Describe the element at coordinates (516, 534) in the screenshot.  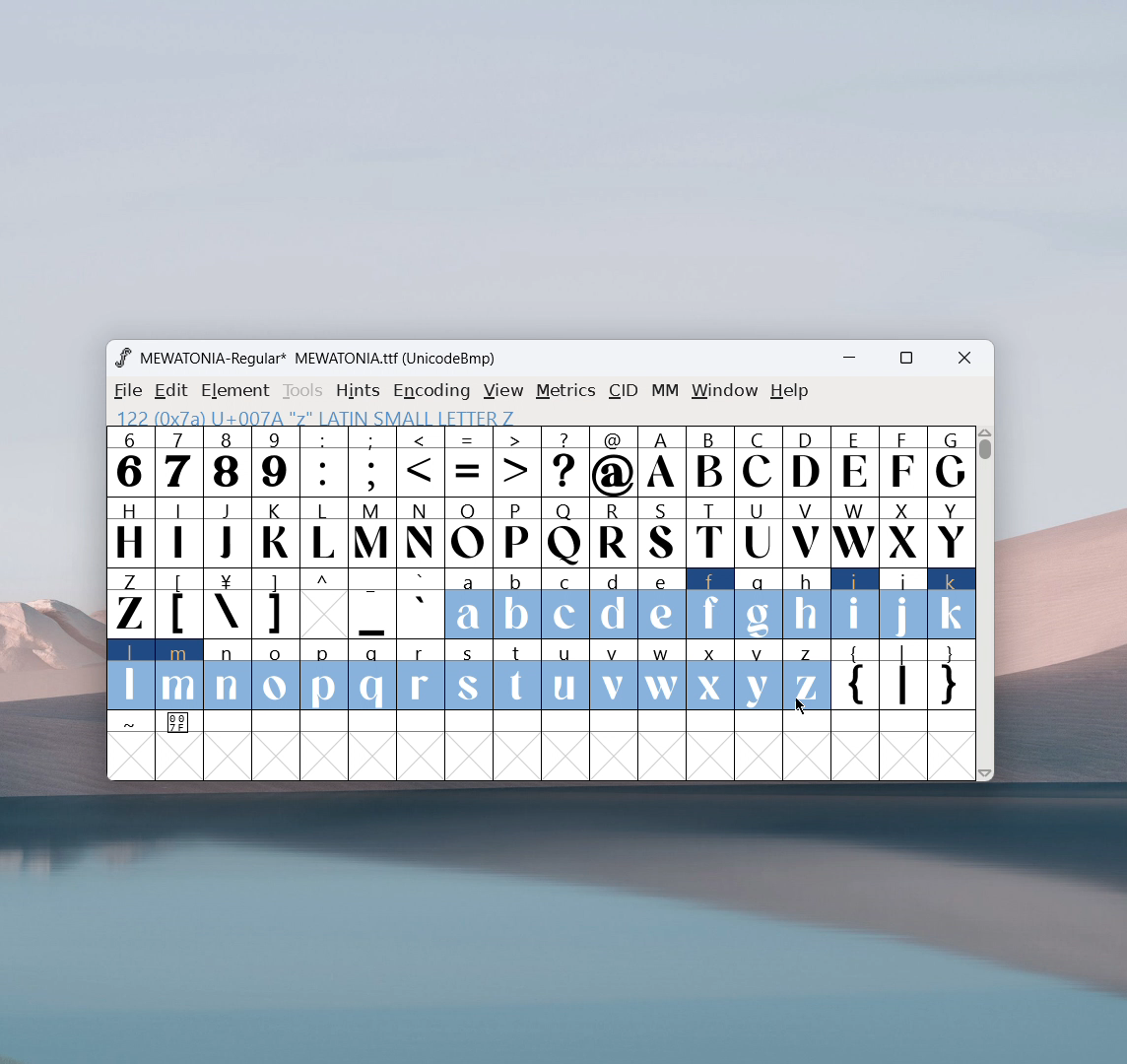
I see `P` at that location.